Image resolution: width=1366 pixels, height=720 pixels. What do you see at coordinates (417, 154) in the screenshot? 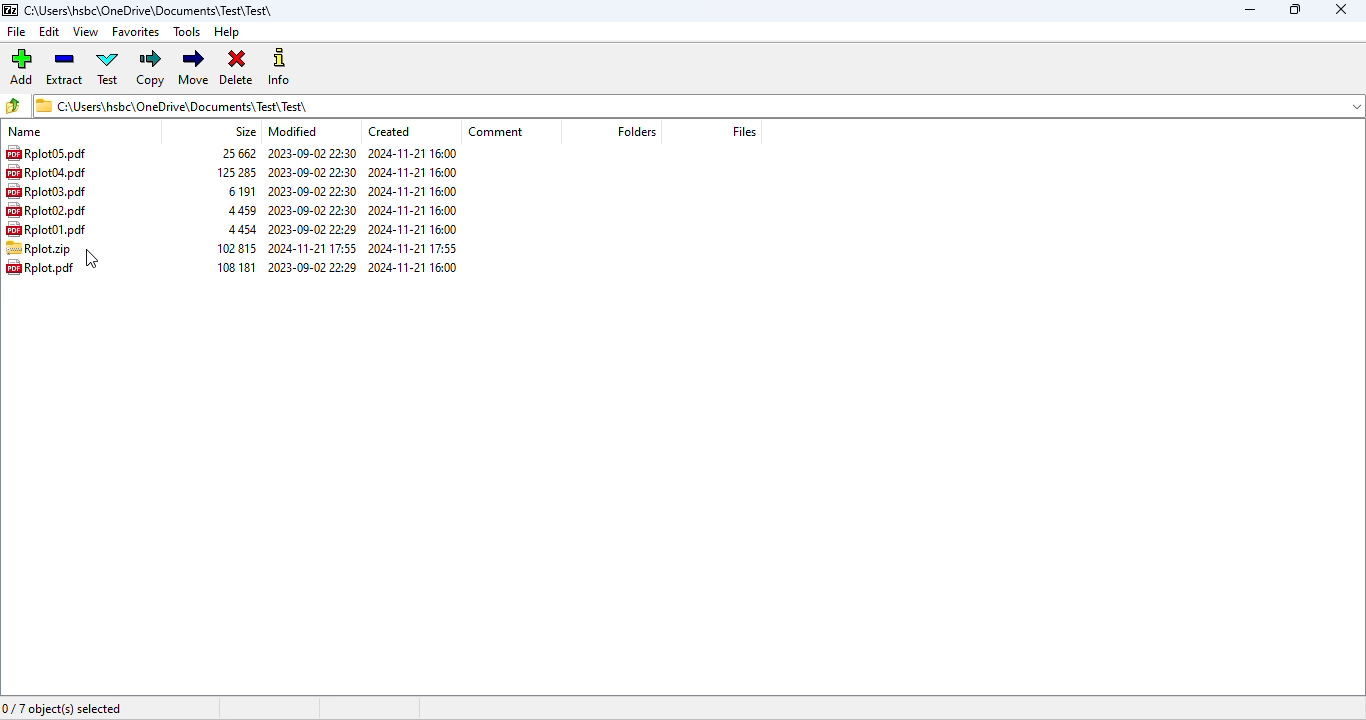
I see `2024-11-21 1600` at bounding box center [417, 154].